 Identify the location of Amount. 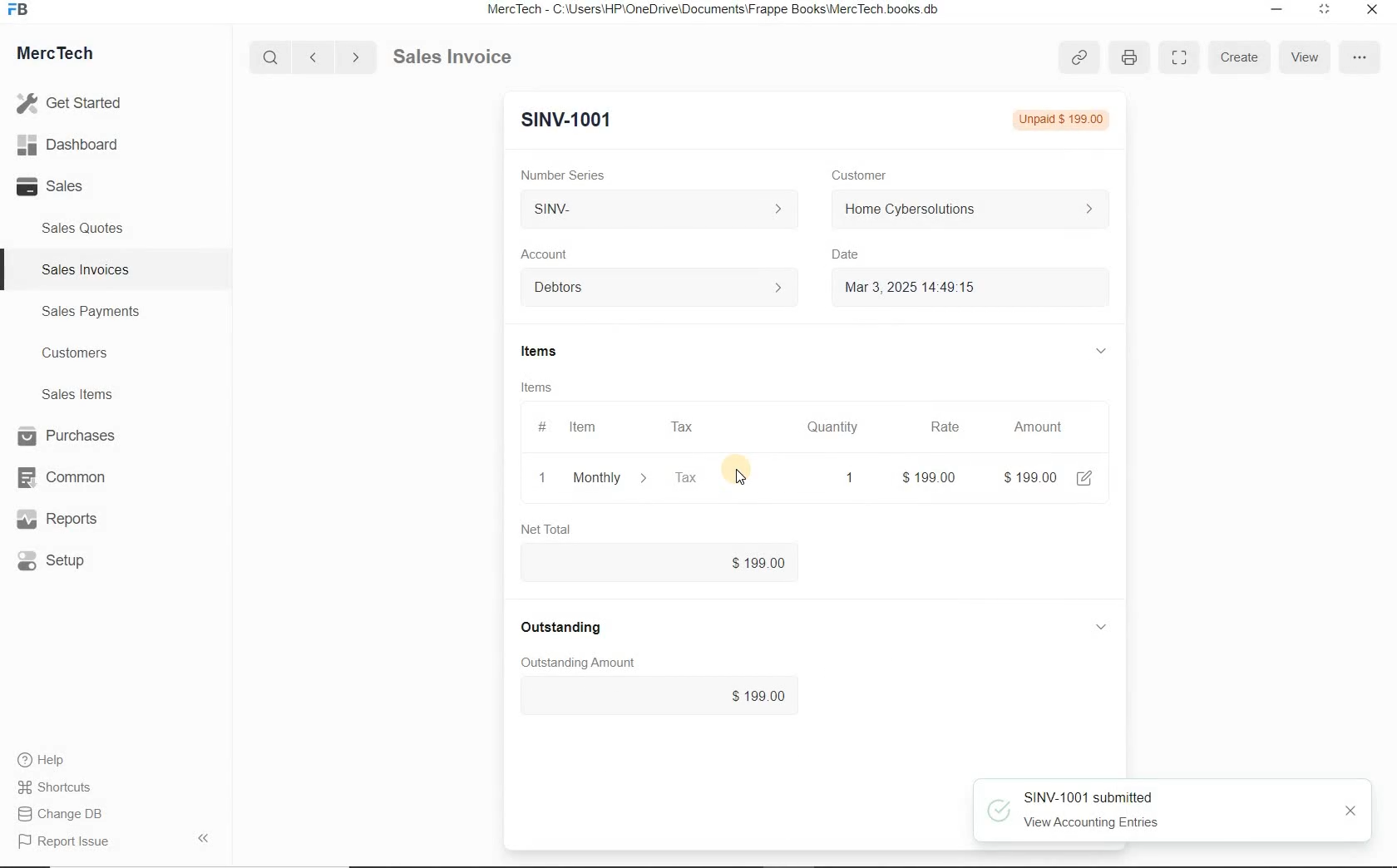
(1028, 428).